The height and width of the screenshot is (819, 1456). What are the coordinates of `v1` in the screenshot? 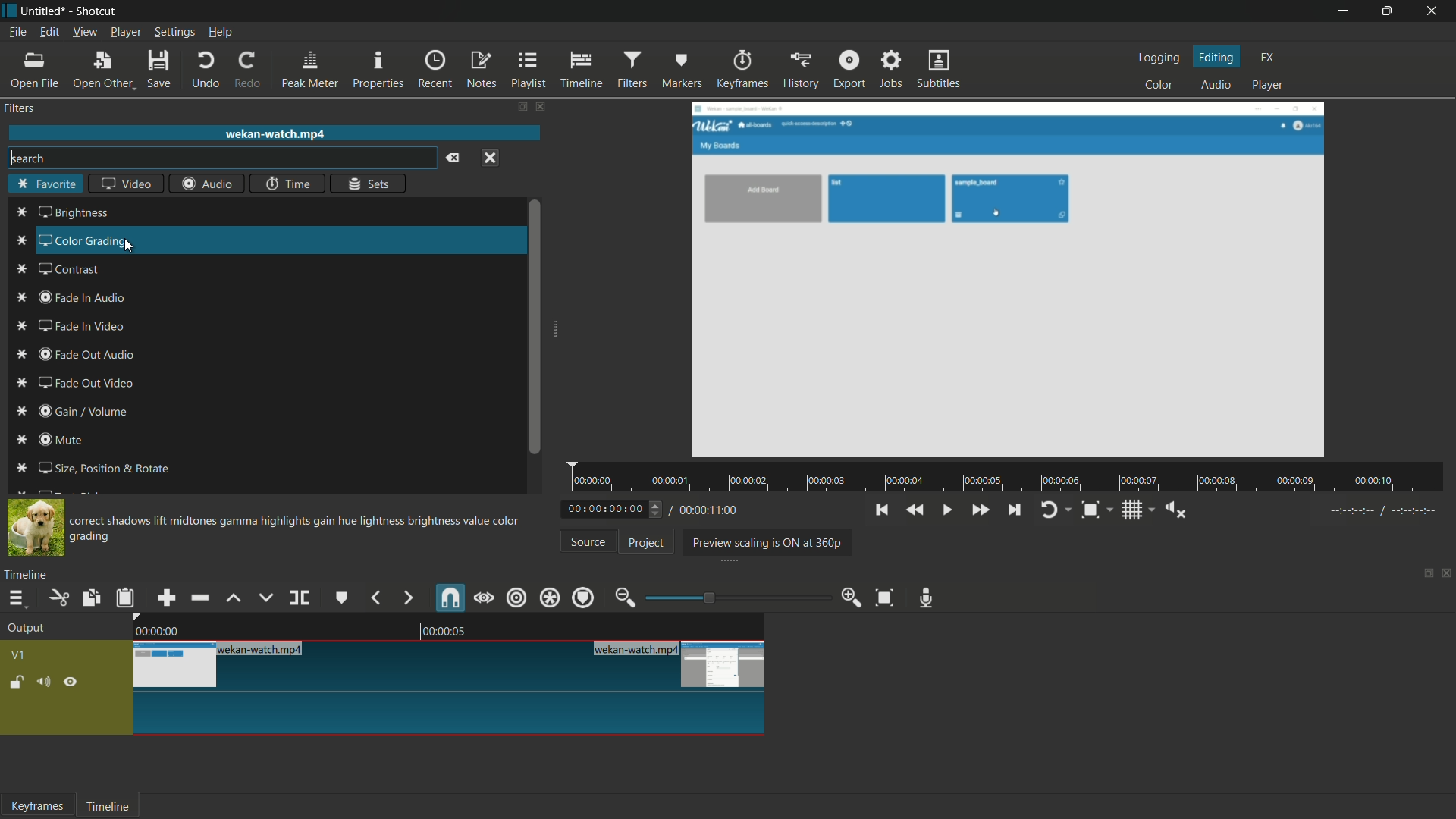 It's located at (19, 655).